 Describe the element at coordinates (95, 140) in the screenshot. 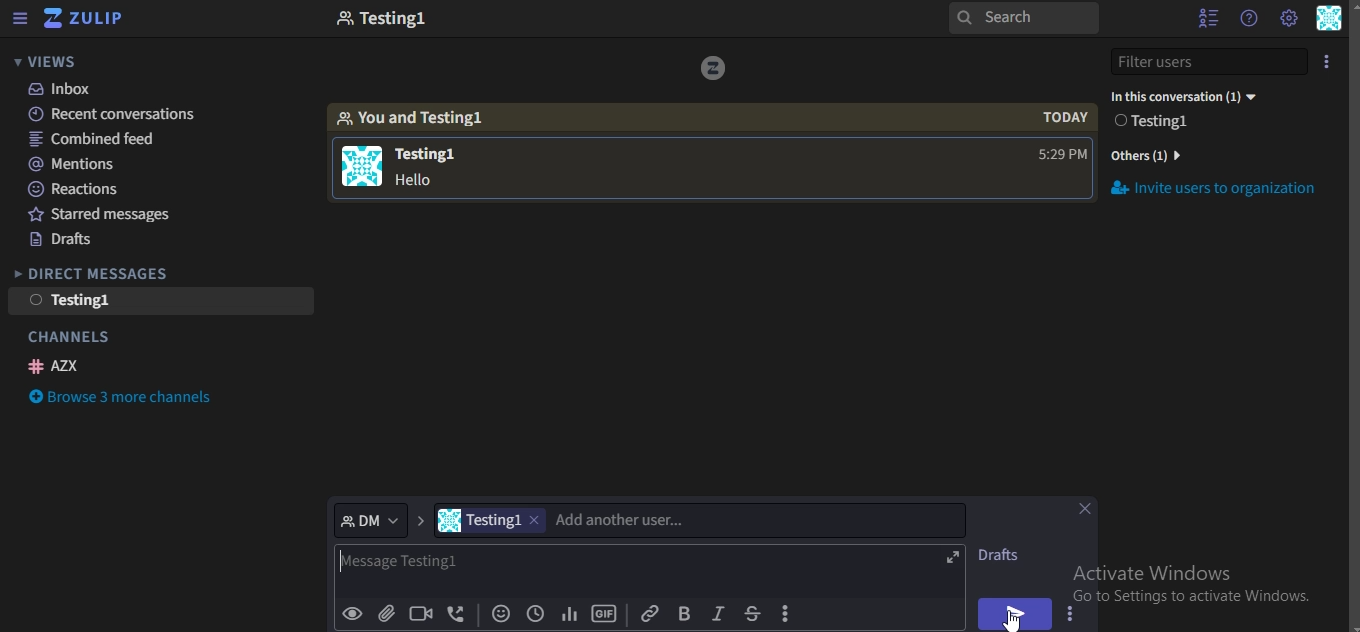

I see `combined feed` at that location.